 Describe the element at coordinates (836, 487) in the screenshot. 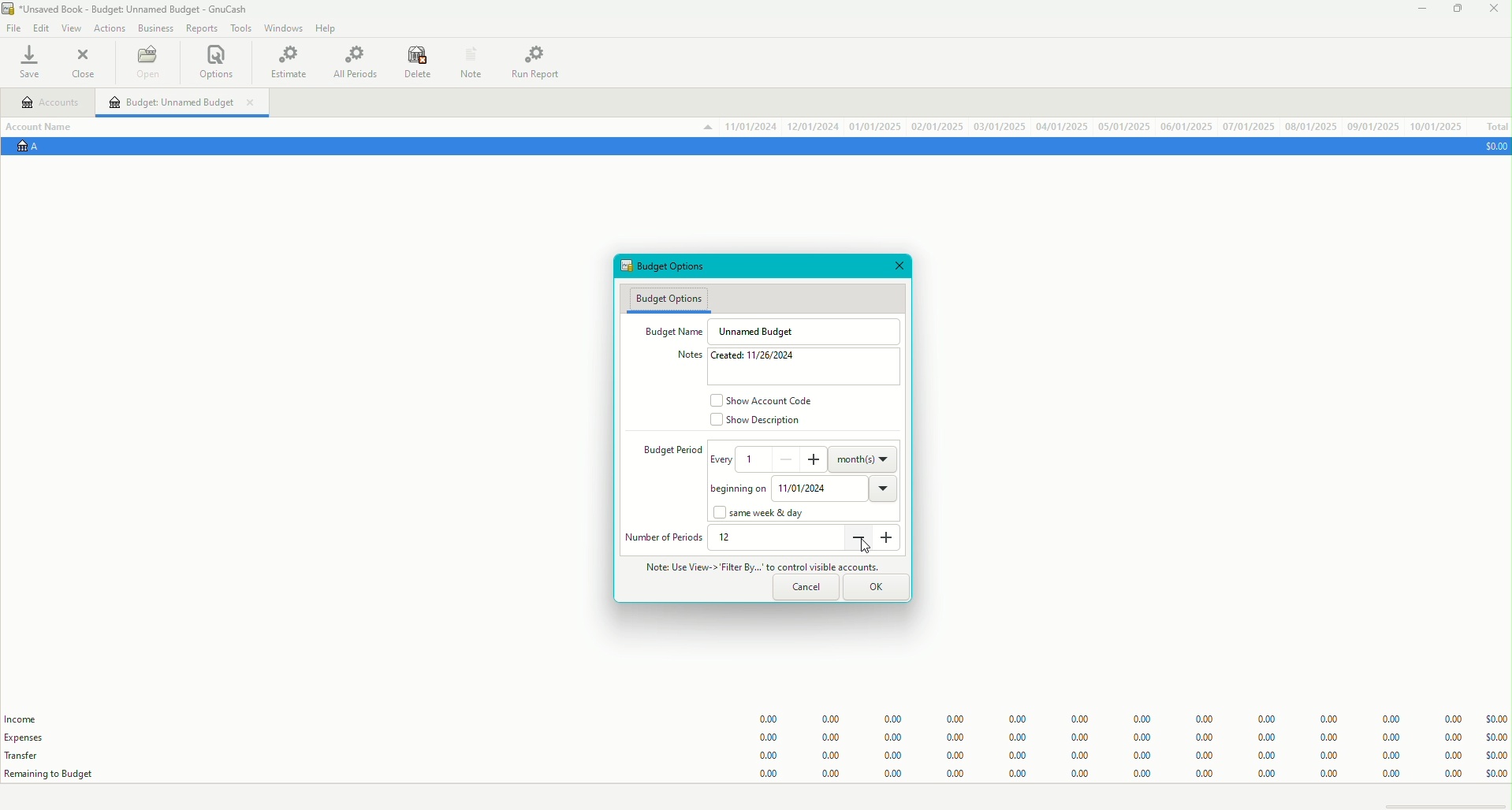

I see `11/01/2024` at that location.